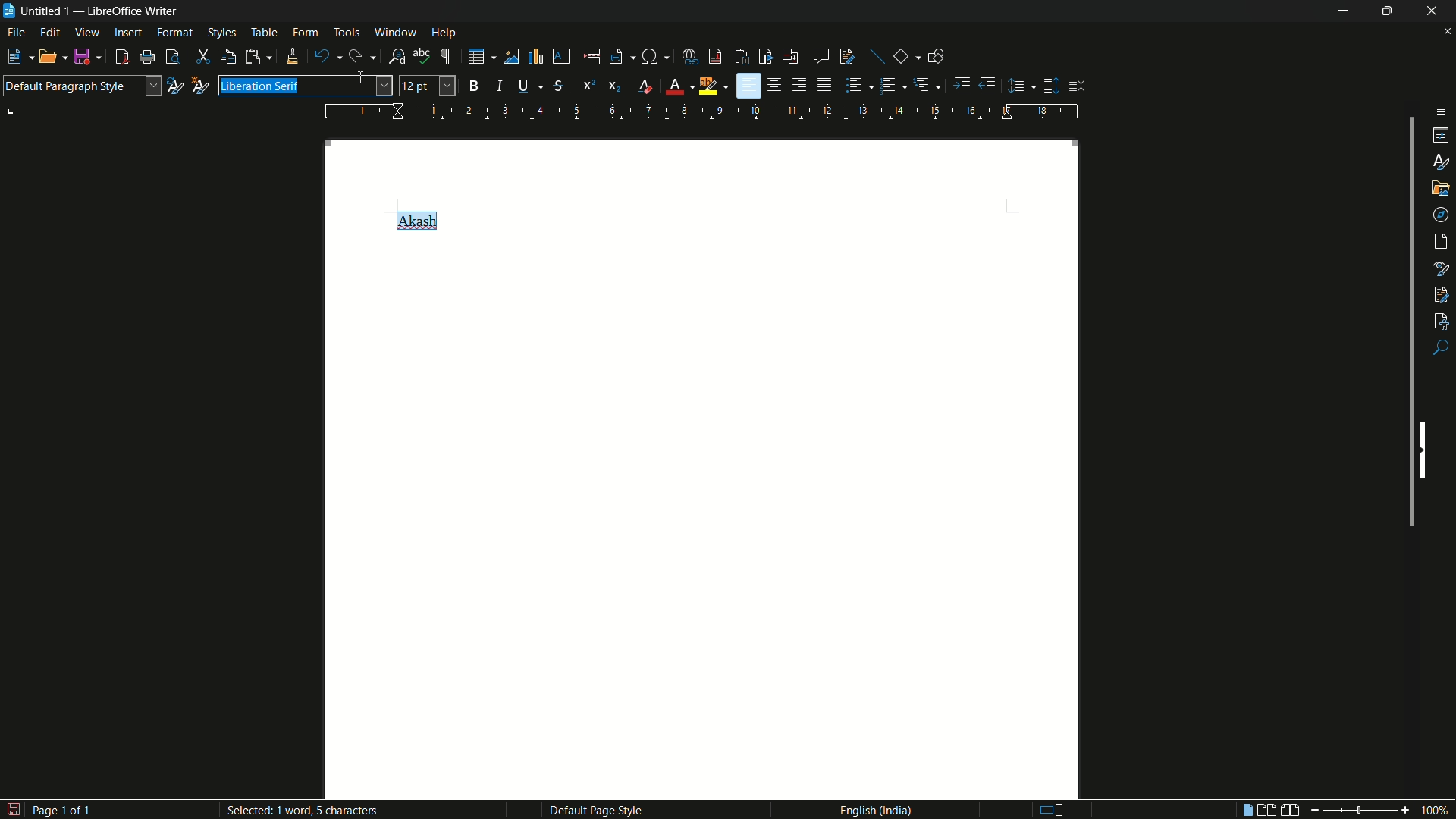 This screenshot has width=1456, height=819. I want to click on styles menu, so click(221, 33).